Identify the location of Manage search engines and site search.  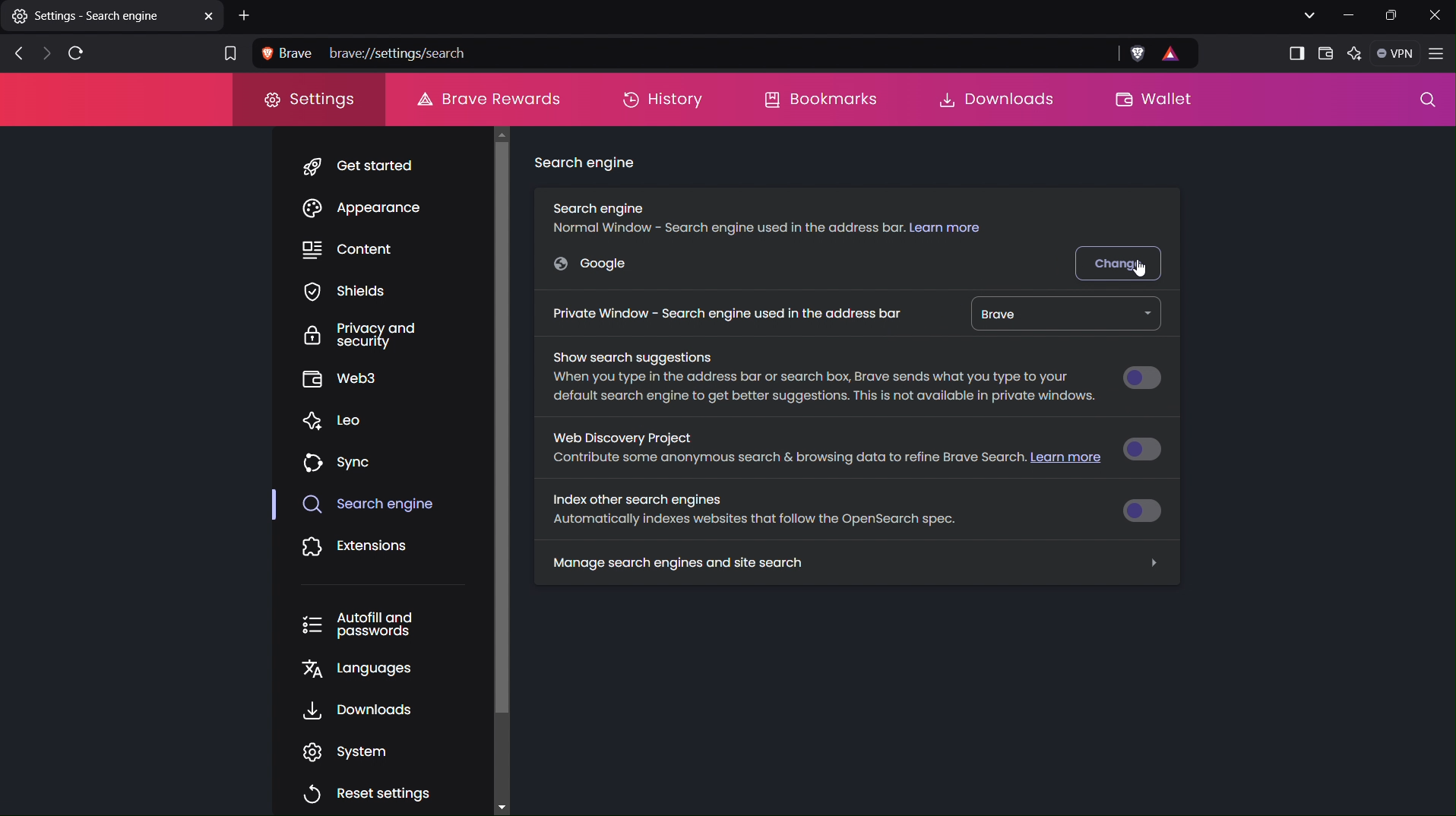
(856, 563).